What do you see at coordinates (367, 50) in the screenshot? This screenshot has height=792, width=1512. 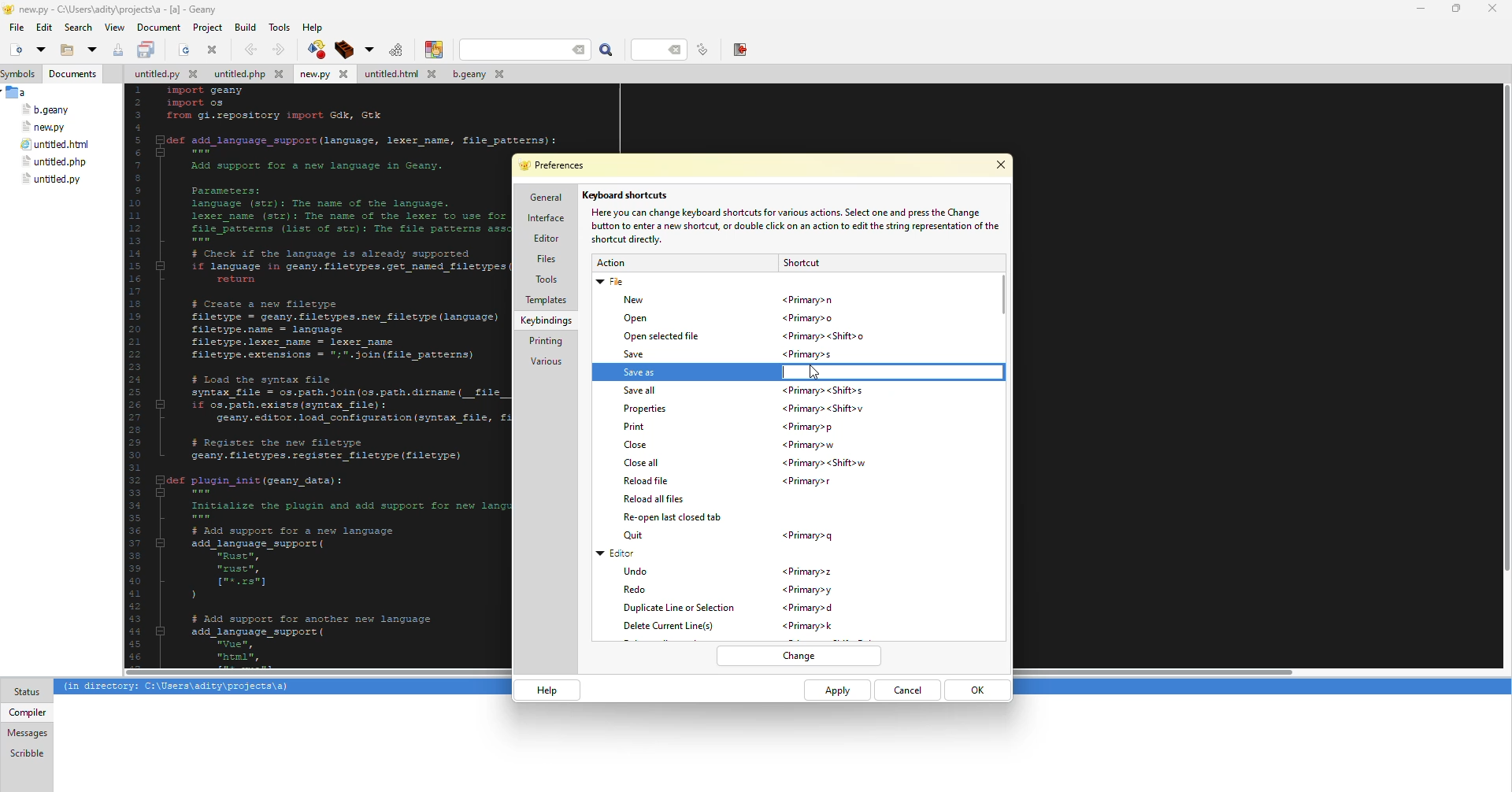 I see `build options` at bounding box center [367, 50].